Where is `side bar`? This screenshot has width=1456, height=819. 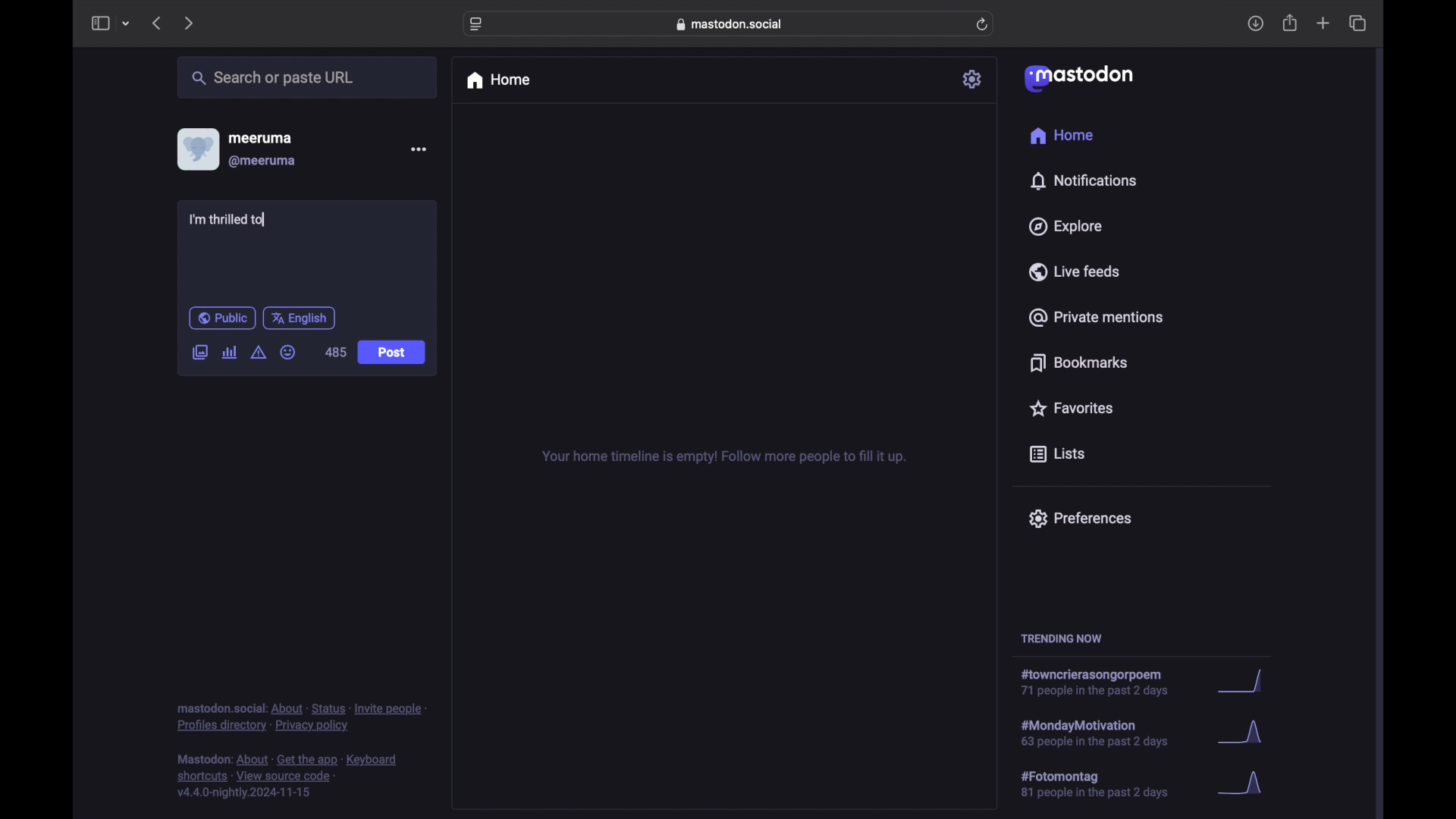
side bar is located at coordinates (99, 23).